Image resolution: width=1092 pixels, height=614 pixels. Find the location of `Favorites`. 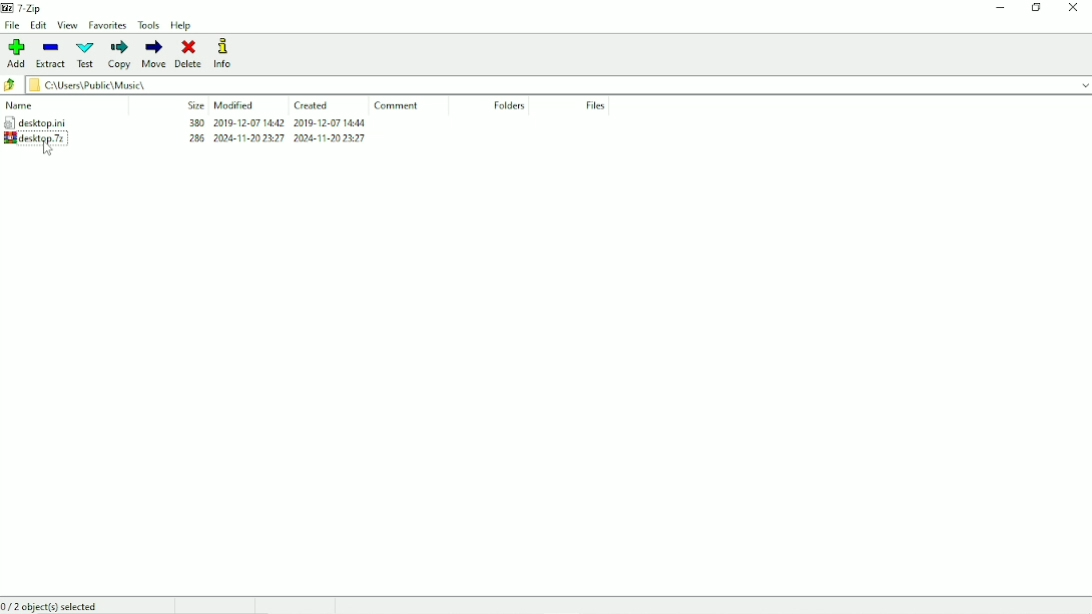

Favorites is located at coordinates (109, 26).